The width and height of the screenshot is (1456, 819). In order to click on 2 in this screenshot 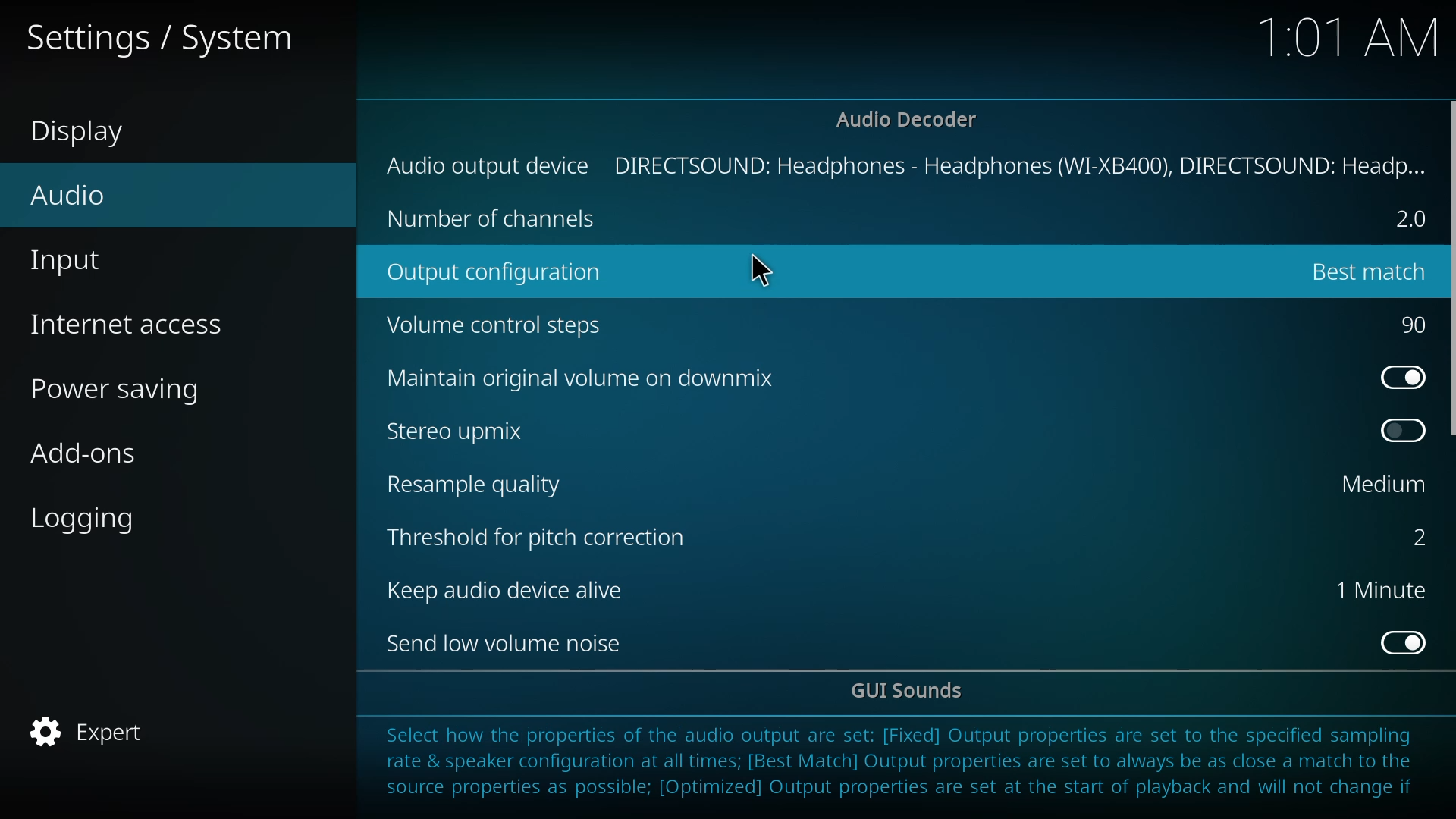, I will do `click(1411, 535)`.